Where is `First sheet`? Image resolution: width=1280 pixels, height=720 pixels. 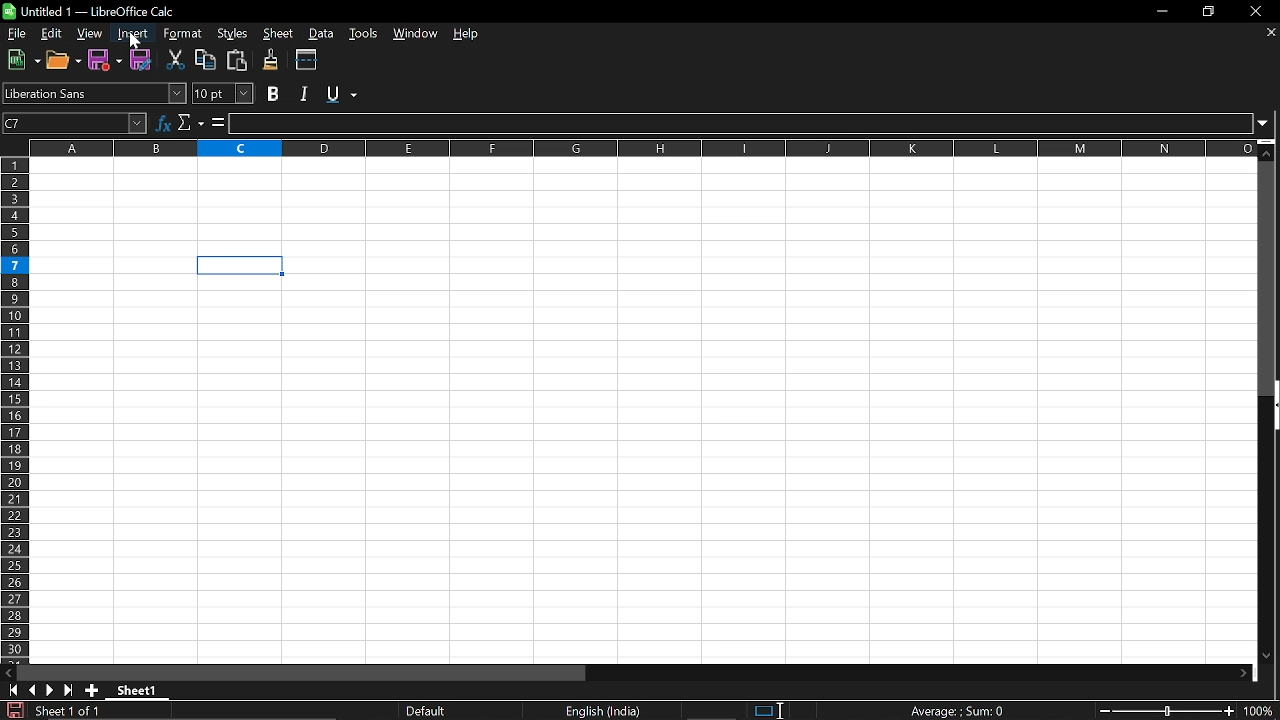 First sheet is located at coordinates (10, 690).